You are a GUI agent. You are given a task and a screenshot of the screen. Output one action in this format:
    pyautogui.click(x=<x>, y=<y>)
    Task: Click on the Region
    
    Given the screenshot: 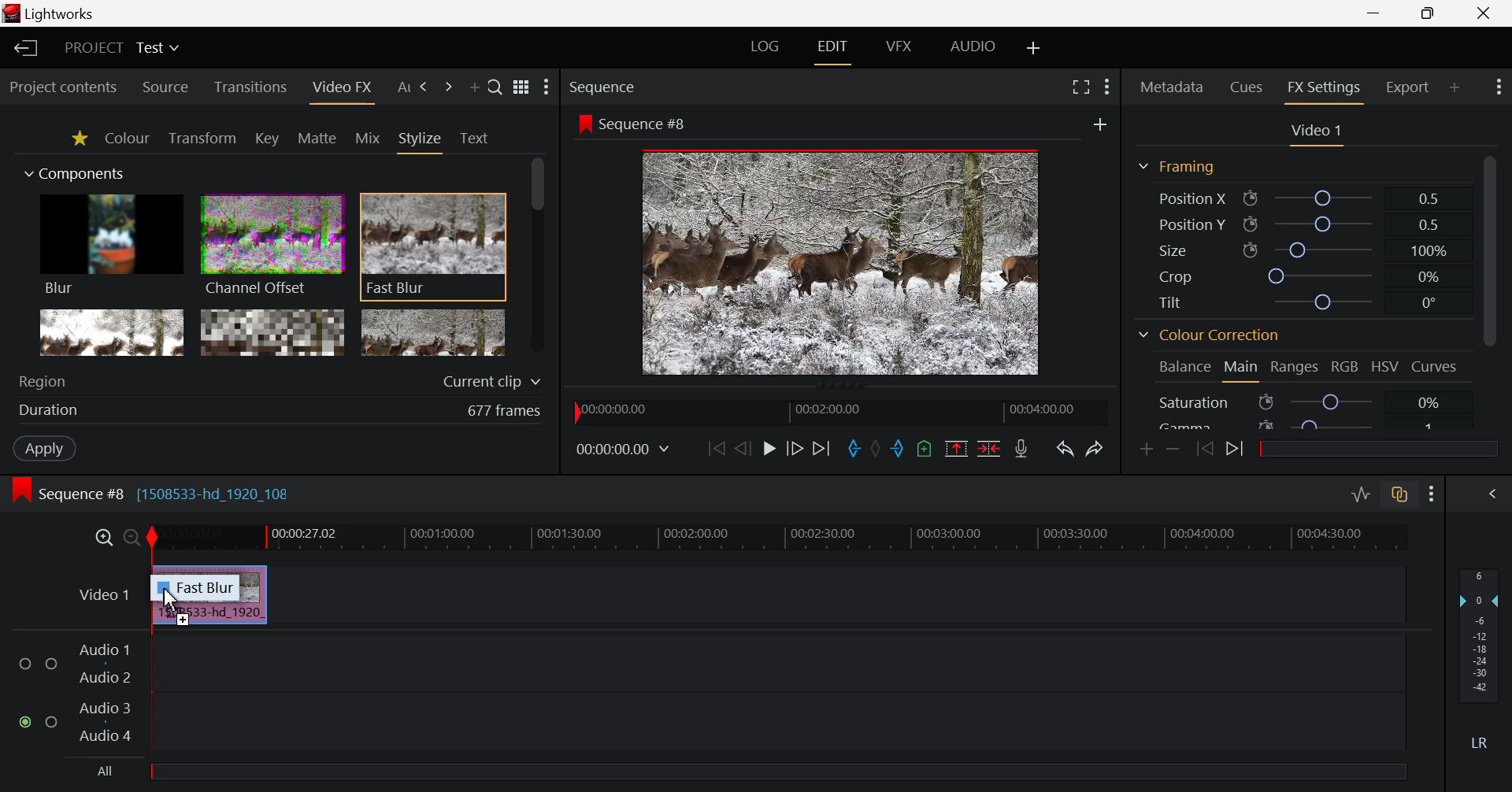 What is the action you would take?
    pyautogui.click(x=282, y=378)
    